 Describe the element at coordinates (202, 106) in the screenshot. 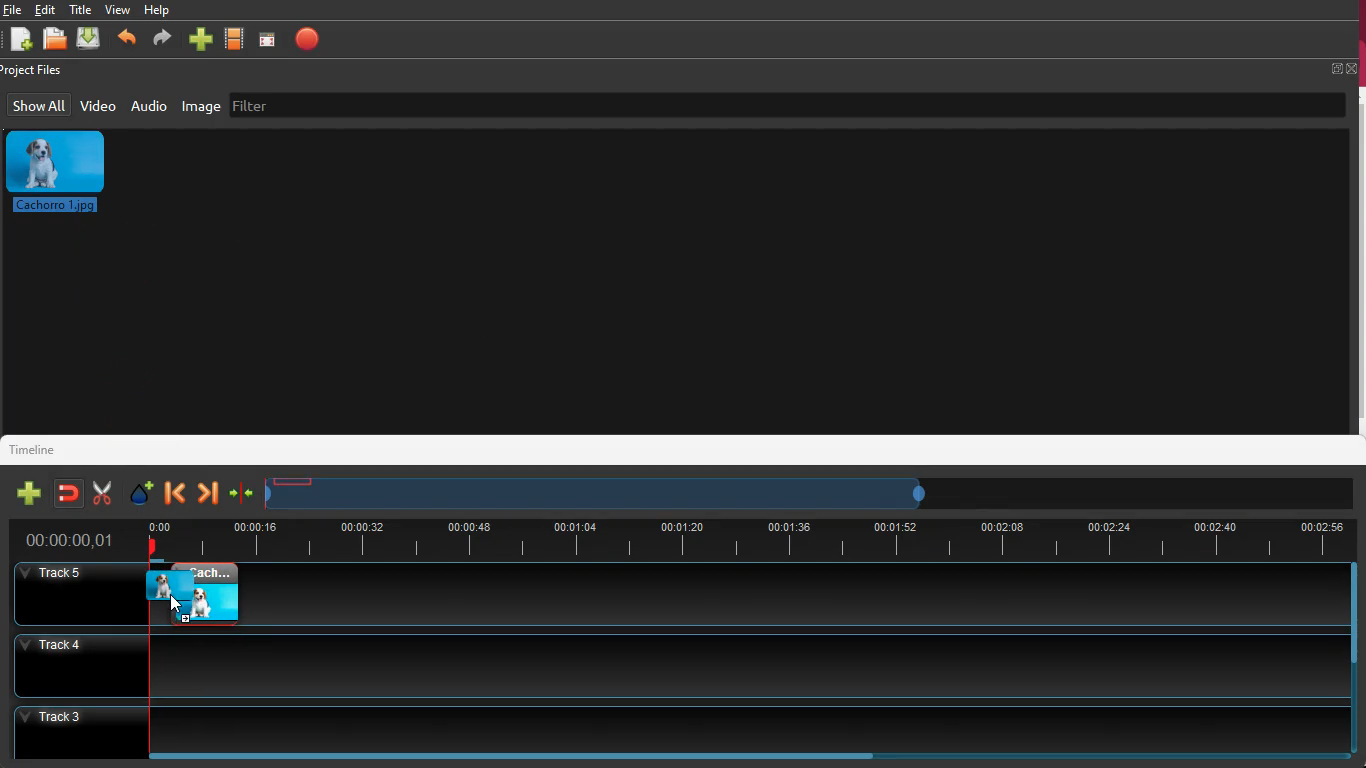

I see `image` at that location.